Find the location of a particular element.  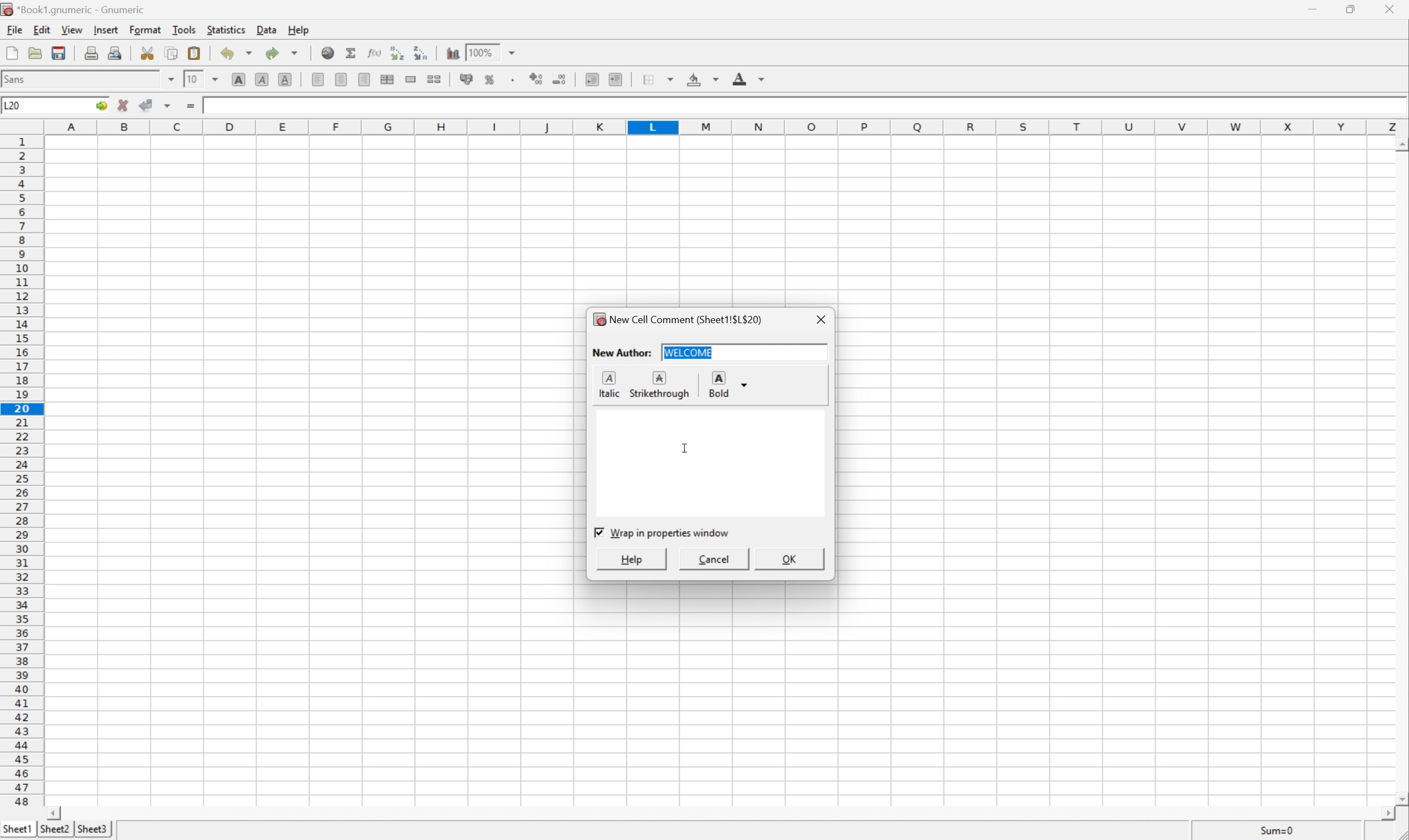

New Author: is located at coordinates (620, 353).